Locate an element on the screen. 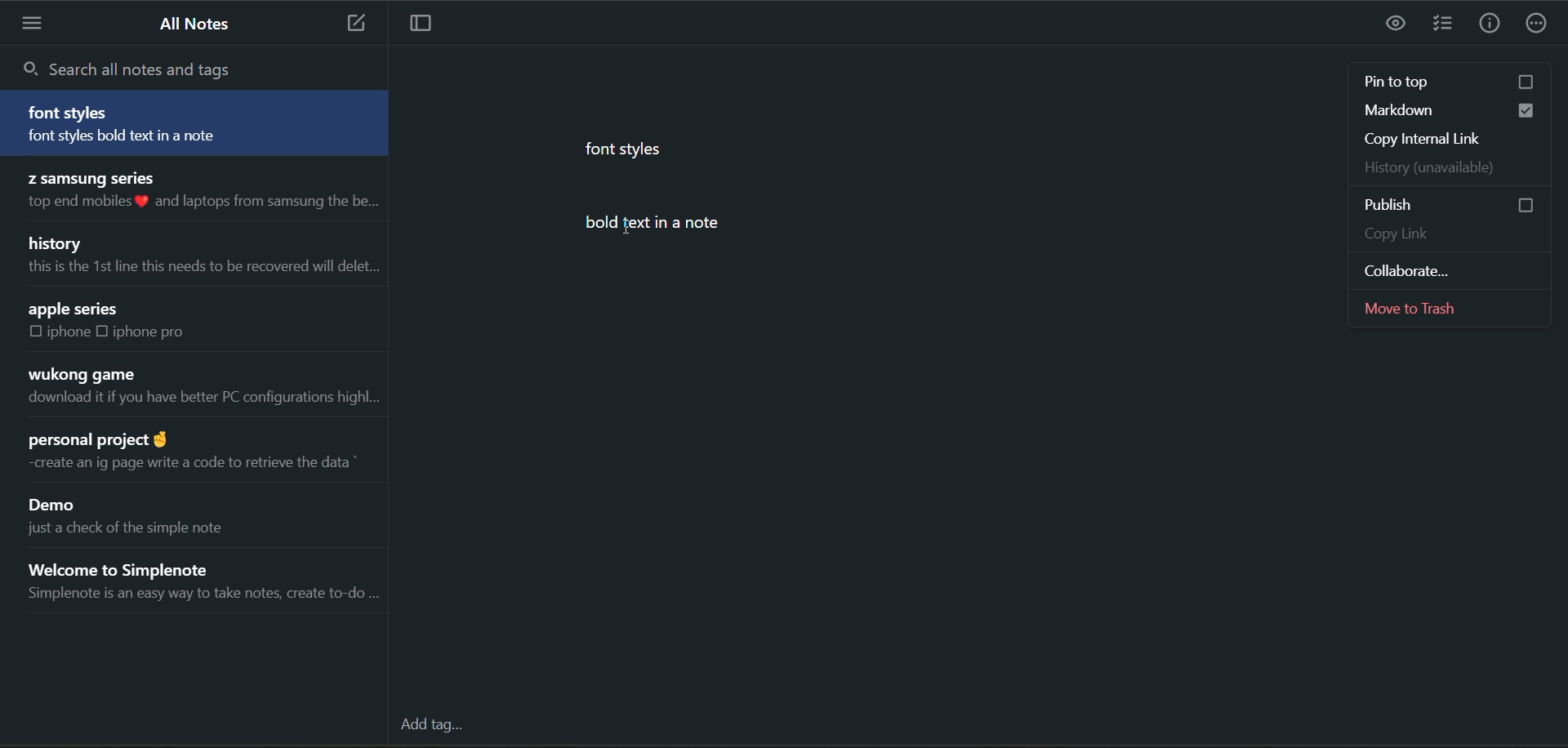  add new note is located at coordinates (350, 24).